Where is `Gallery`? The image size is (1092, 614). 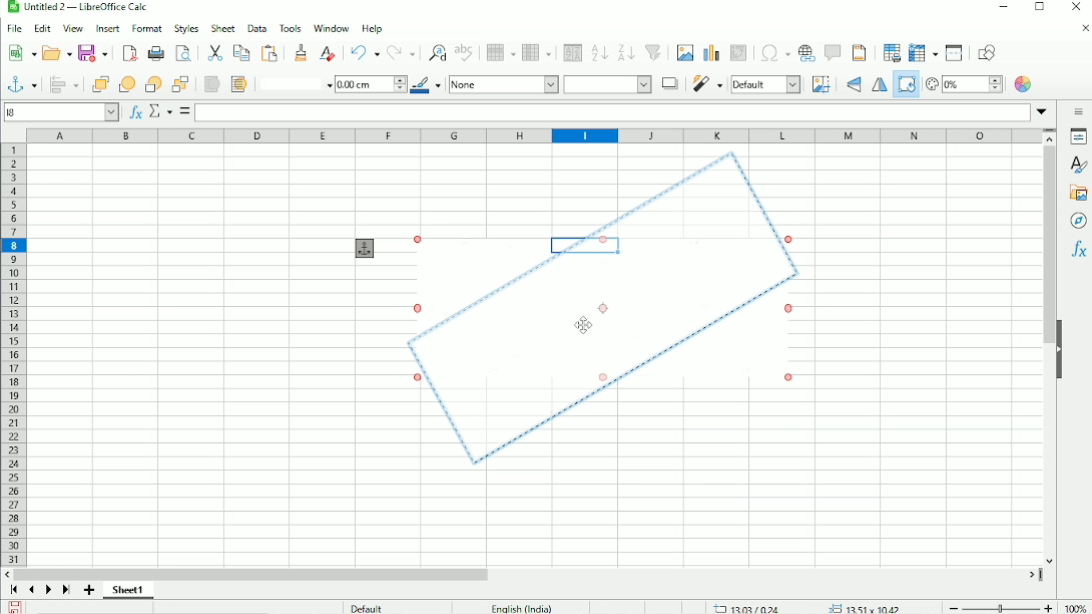
Gallery is located at coordinates (1077, 193).